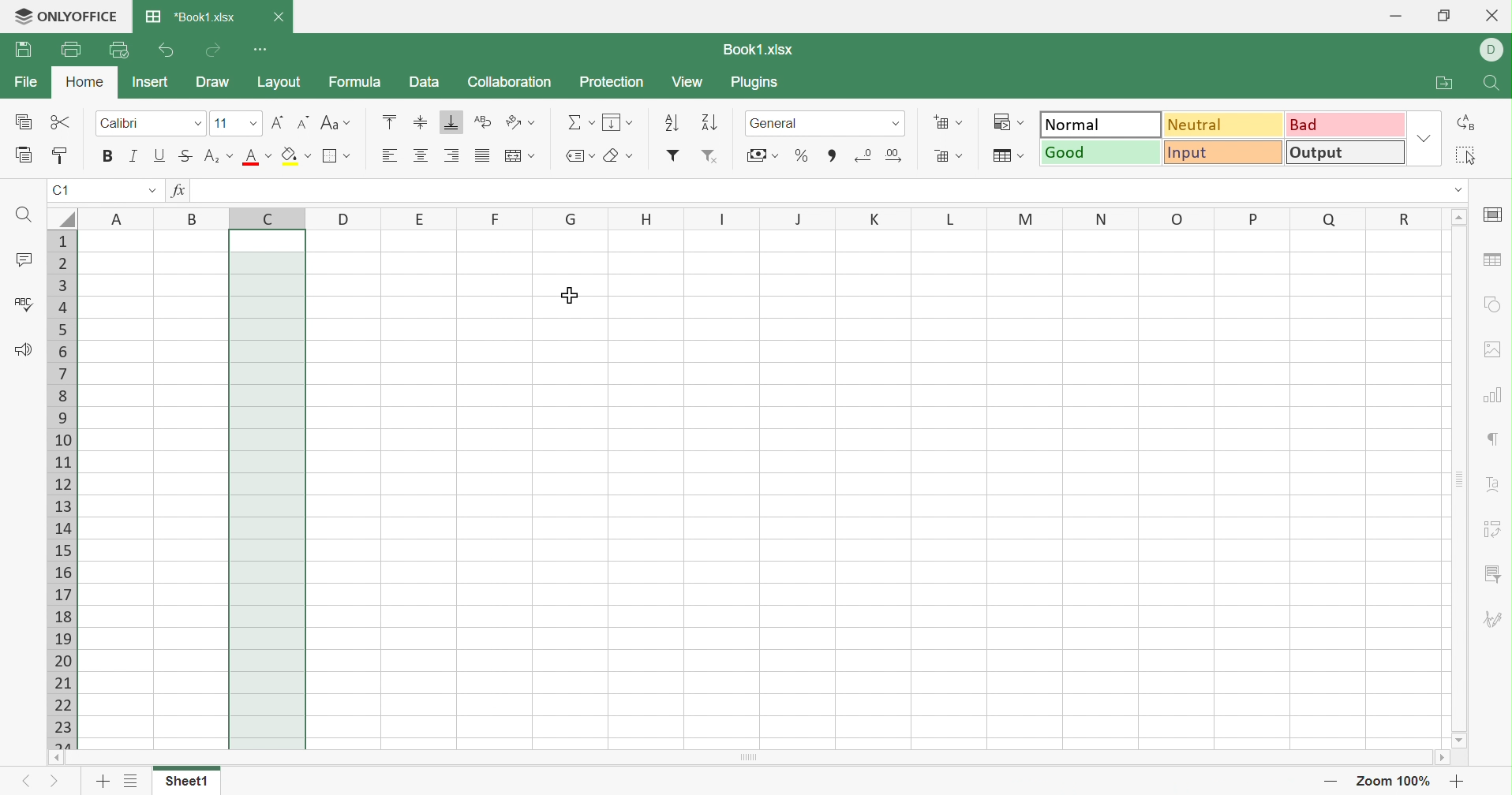 The height and width of the screenshot is (795, 1512). Describe the element at coordinates (1345, 125) in the screenshot. I see `Bad` at that location.